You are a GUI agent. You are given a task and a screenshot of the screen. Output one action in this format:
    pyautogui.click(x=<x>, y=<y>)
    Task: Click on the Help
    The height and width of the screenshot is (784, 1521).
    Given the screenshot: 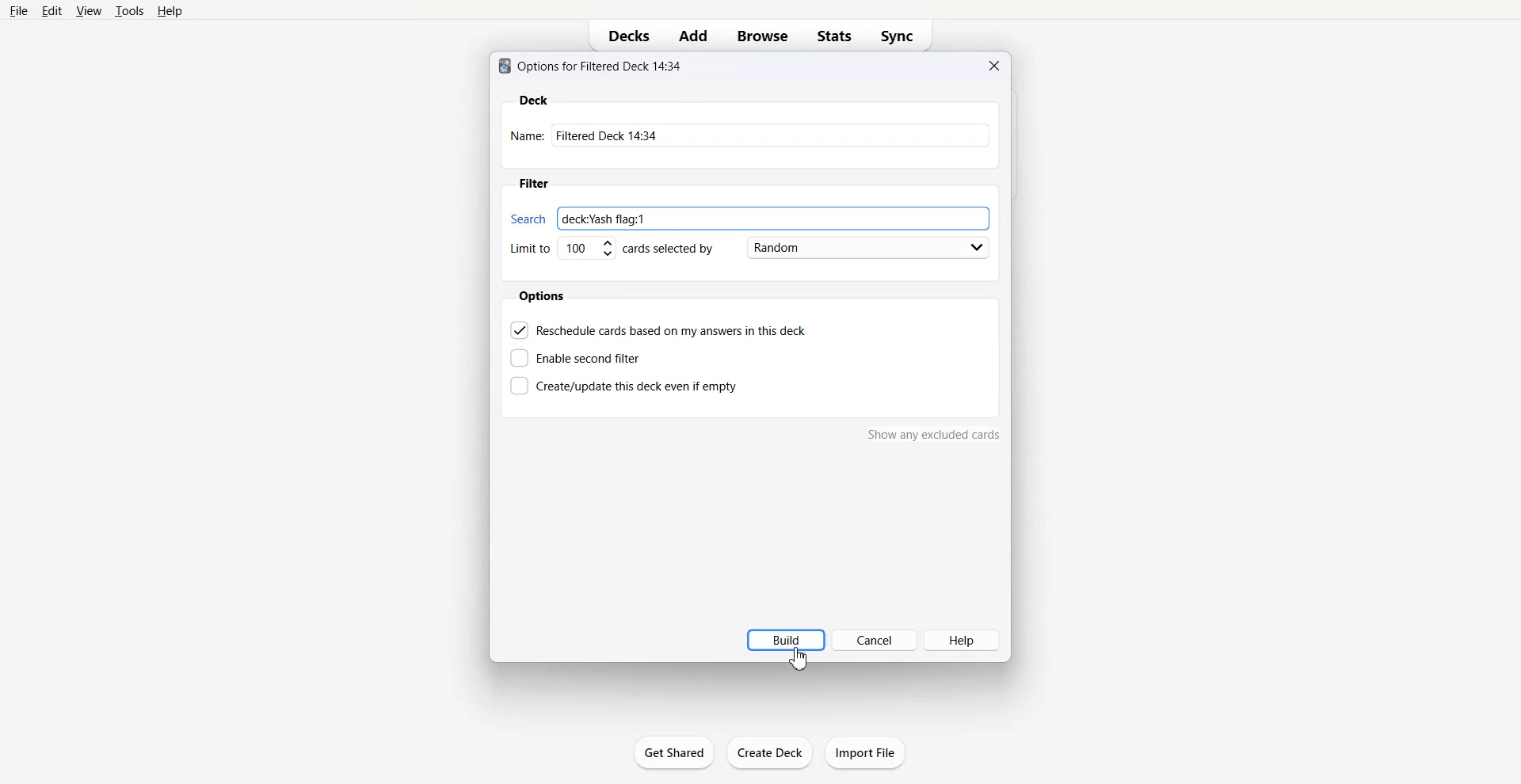 What is the action you would take?
    pyautogui.click(x=970, y=641)
    